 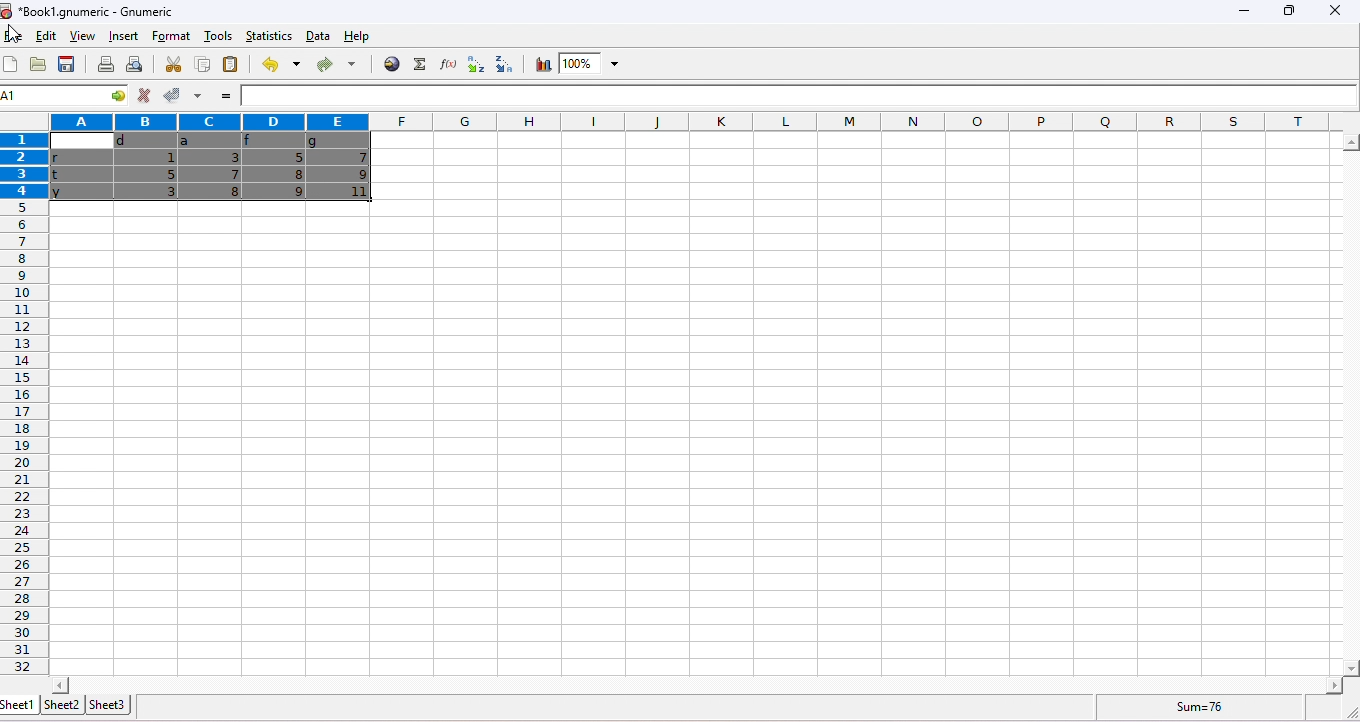 I want to click on undo, so click(x=278, y=65).